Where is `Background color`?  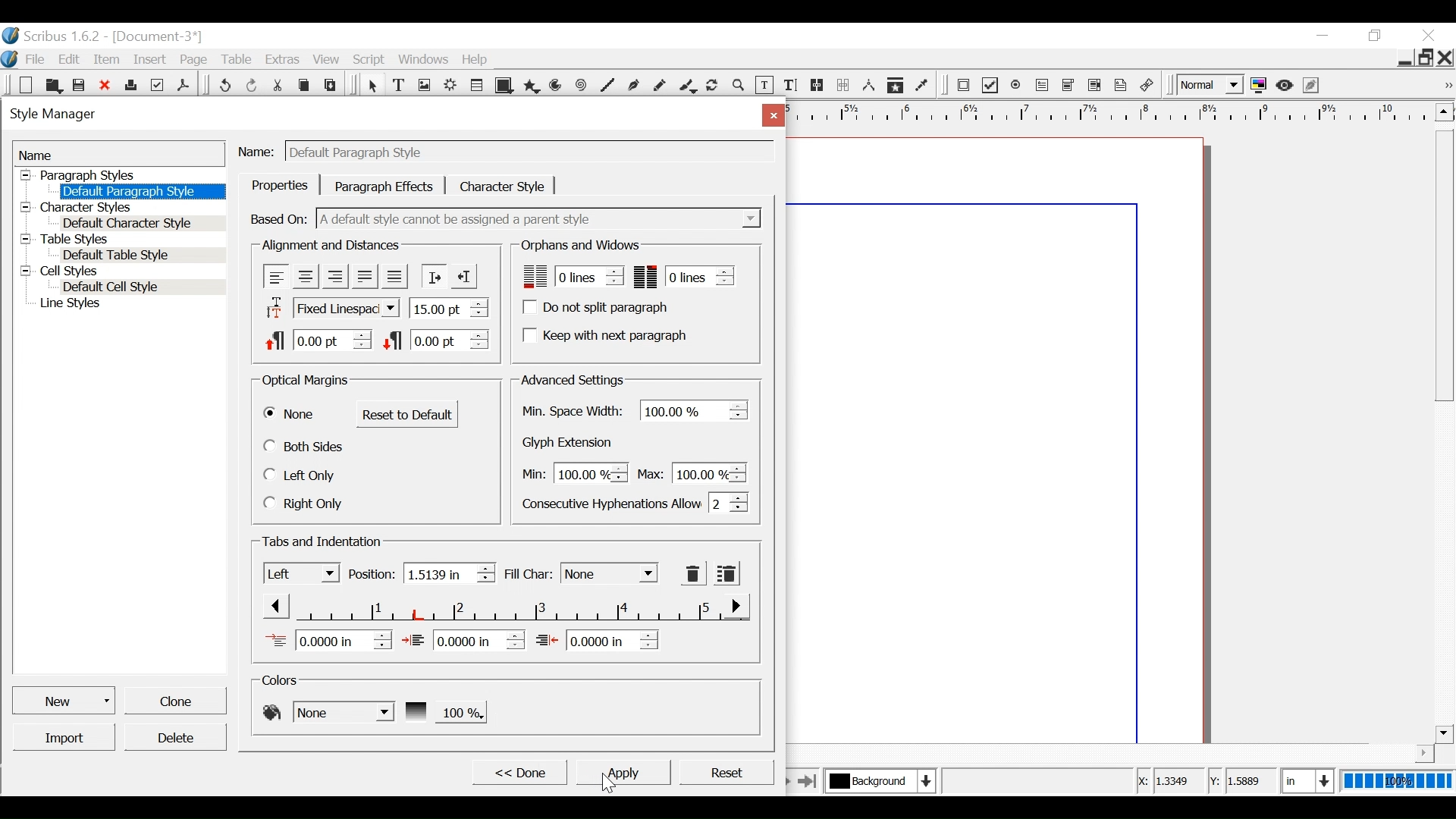
Background color is located at coordinates (327, 711).